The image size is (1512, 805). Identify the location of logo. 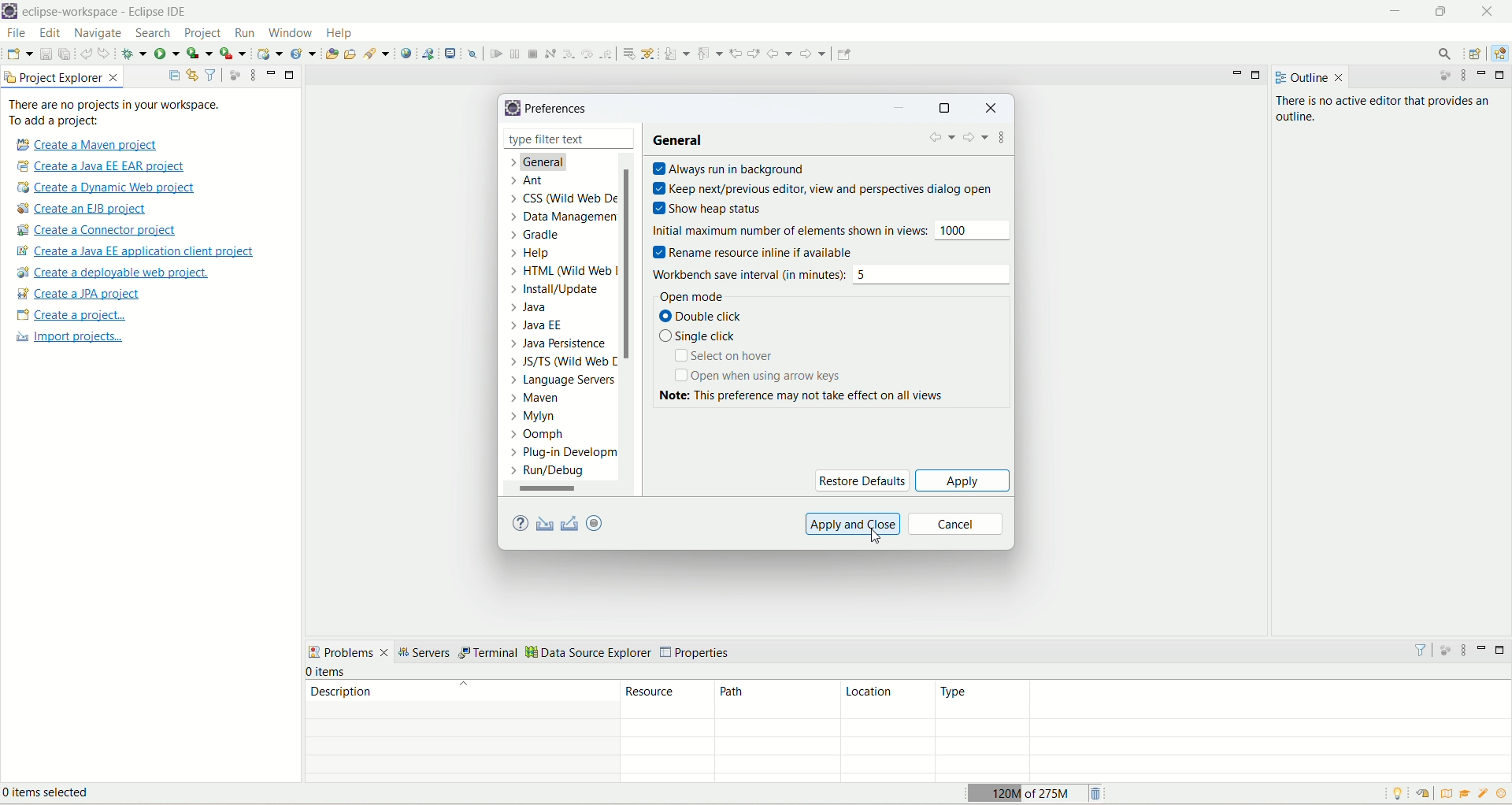
(10, 12).